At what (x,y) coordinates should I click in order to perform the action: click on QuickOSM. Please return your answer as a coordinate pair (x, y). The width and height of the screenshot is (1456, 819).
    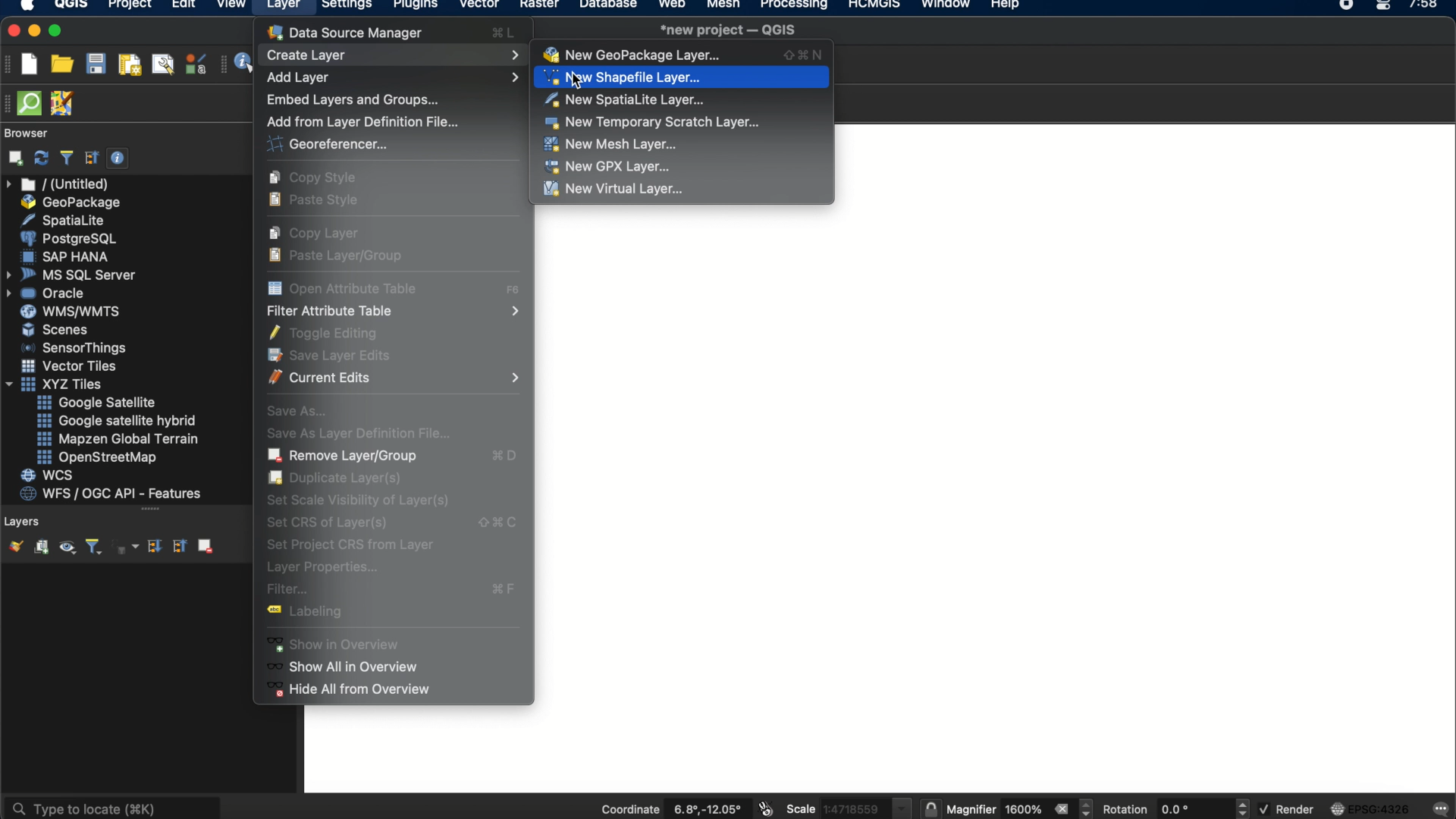
    Looking at the image, I should click on (33, 103).